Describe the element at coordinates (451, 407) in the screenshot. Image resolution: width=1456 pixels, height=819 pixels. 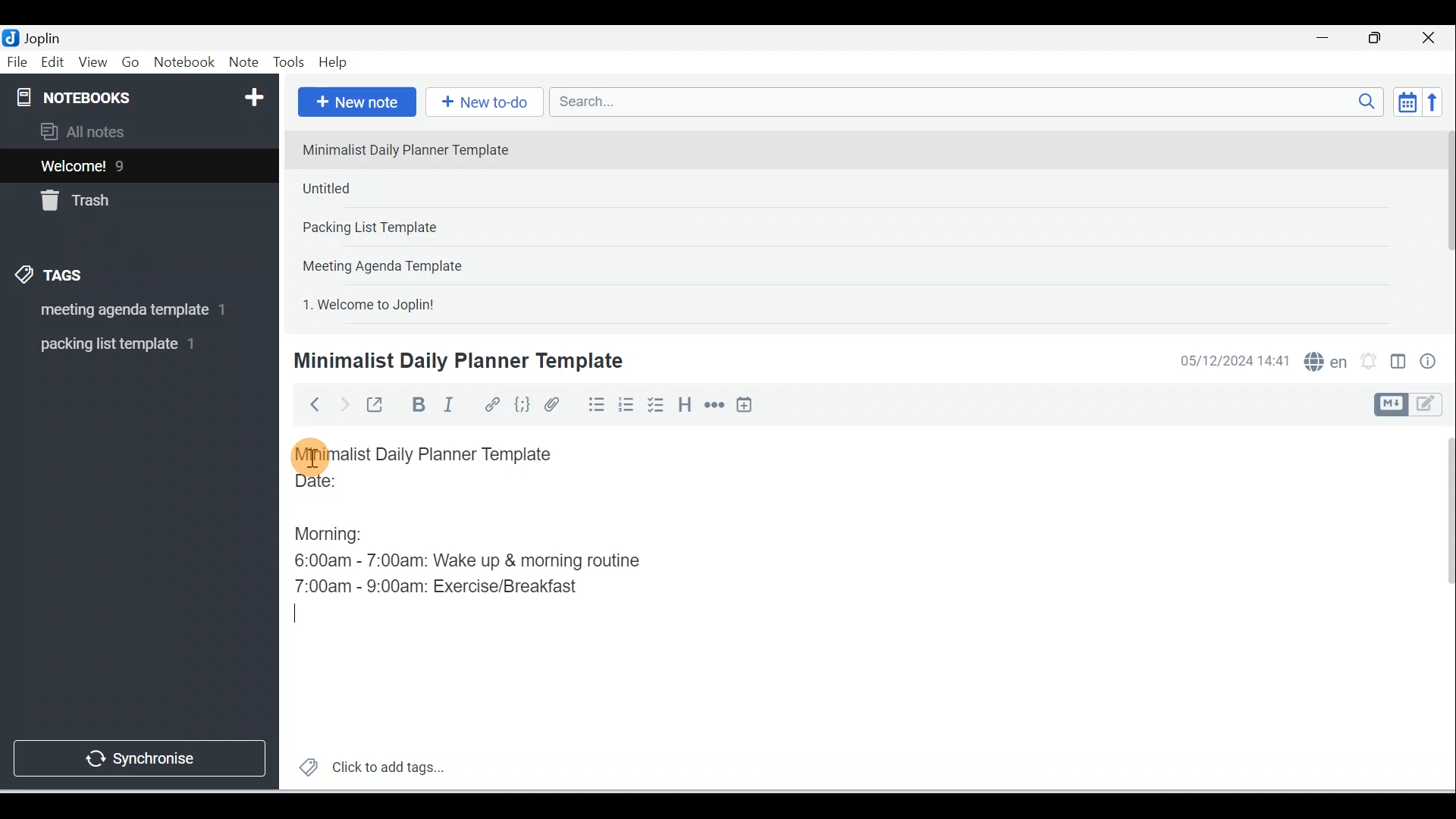
I see `Italic` at that location.